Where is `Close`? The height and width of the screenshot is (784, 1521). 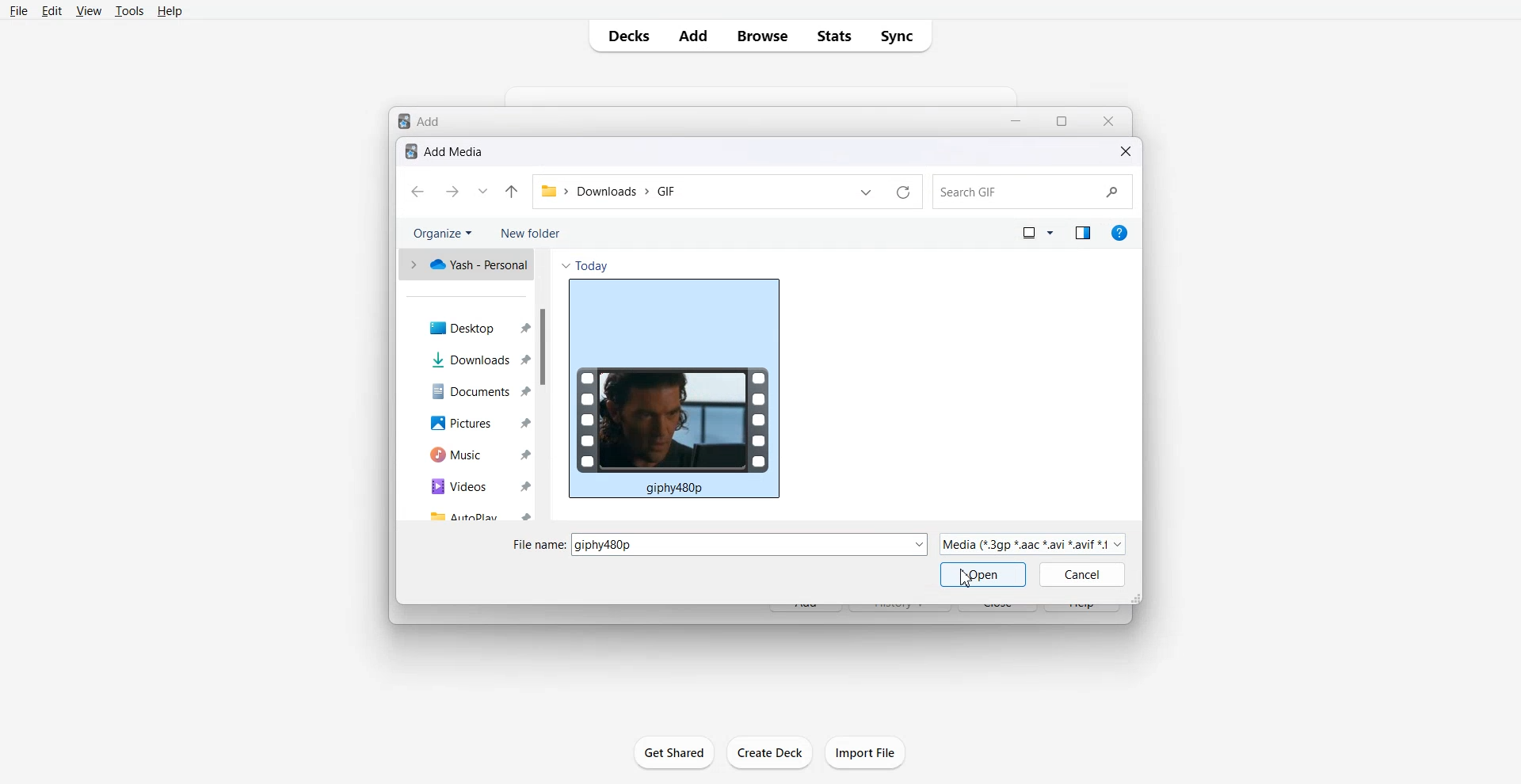
Close is located at coordinates (1126, 151).